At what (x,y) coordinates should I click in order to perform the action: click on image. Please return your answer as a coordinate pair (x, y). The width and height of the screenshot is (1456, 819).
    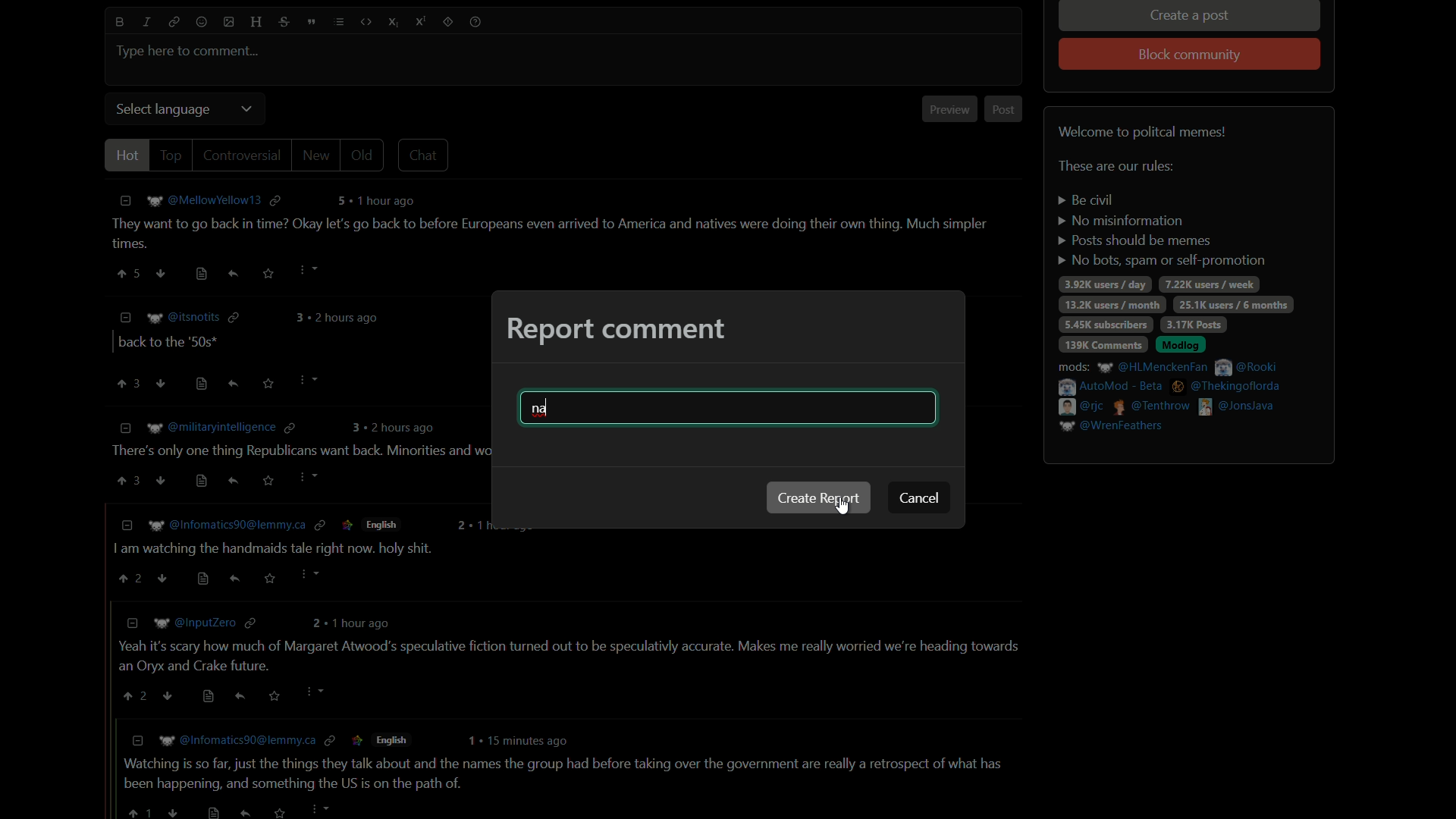
    Looking at the image, I should click on (229, 21).